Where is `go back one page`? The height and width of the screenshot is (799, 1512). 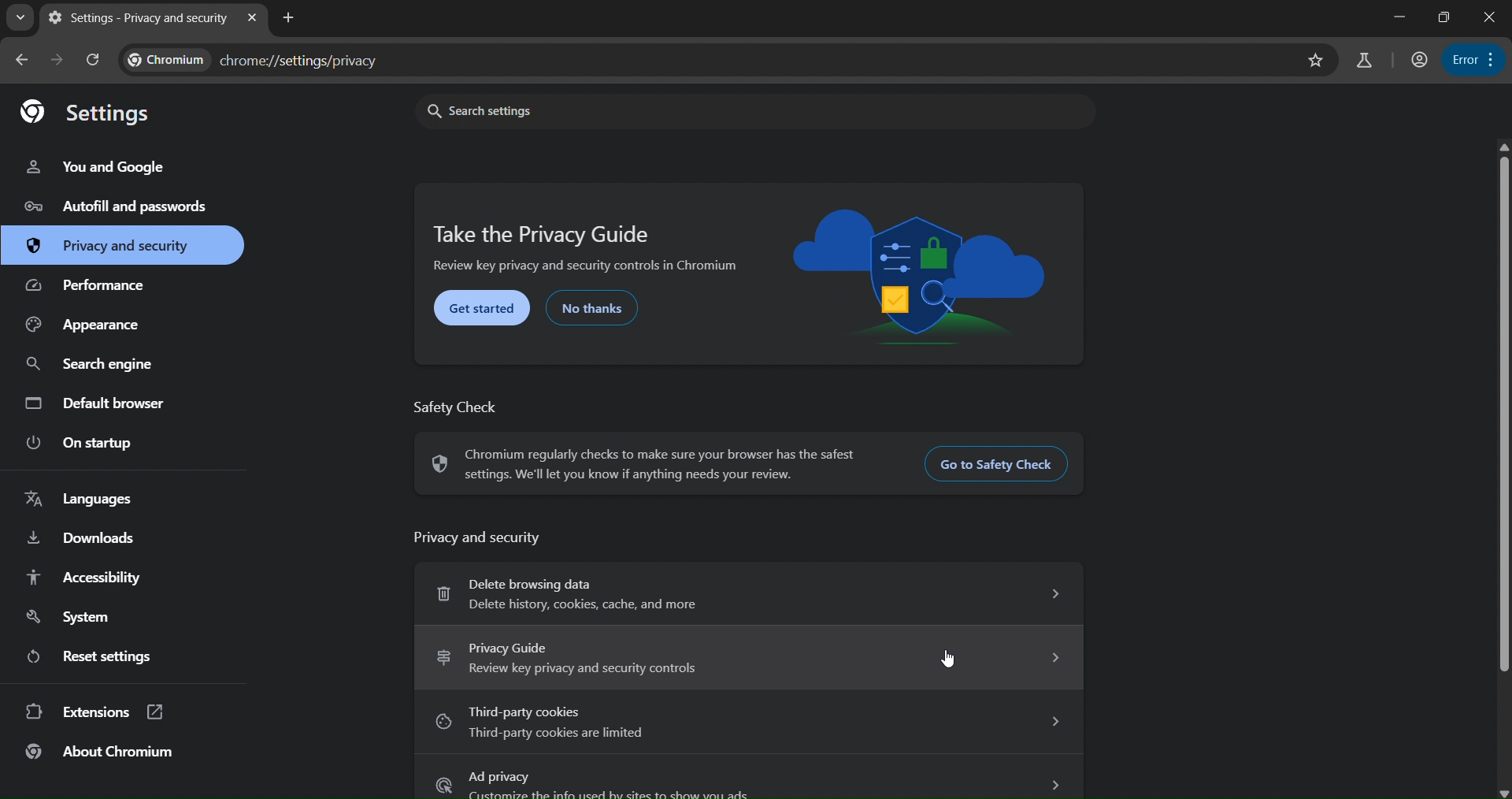 go back one page is located at coordinates (22, 58).